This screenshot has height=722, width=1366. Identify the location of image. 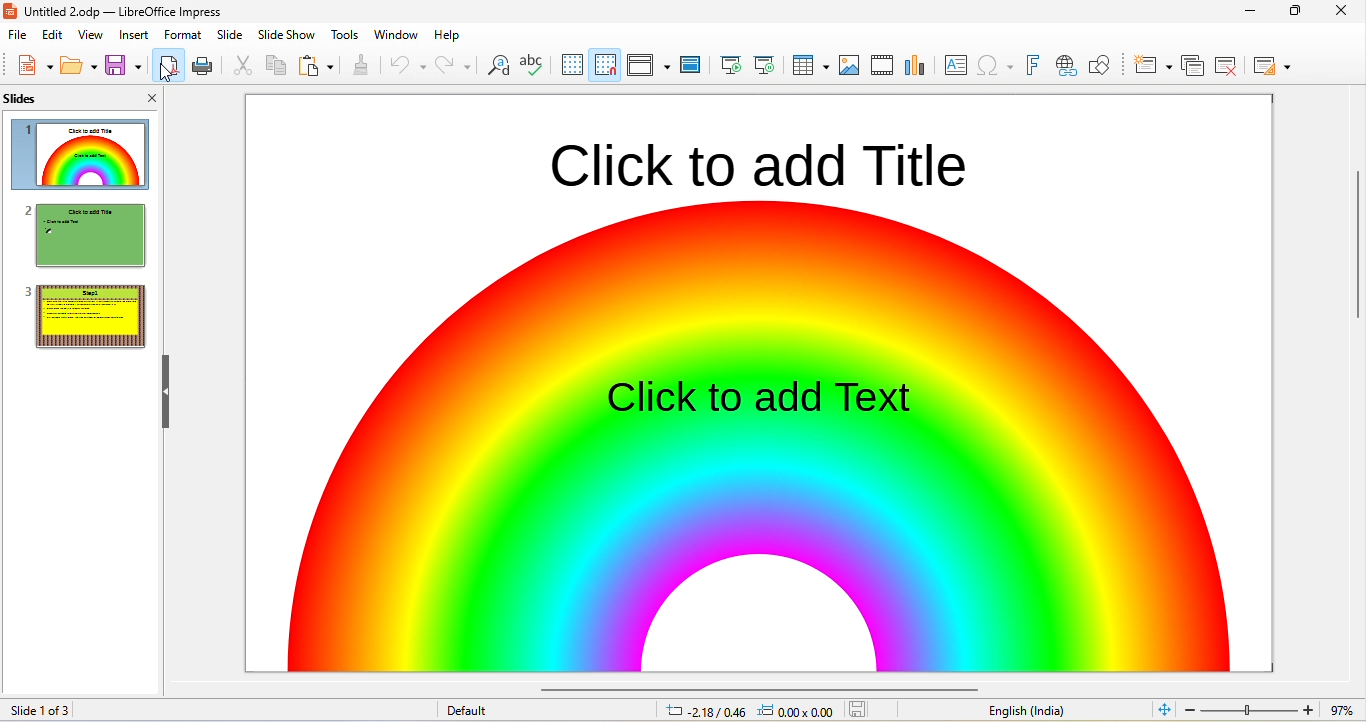
(850, 65).